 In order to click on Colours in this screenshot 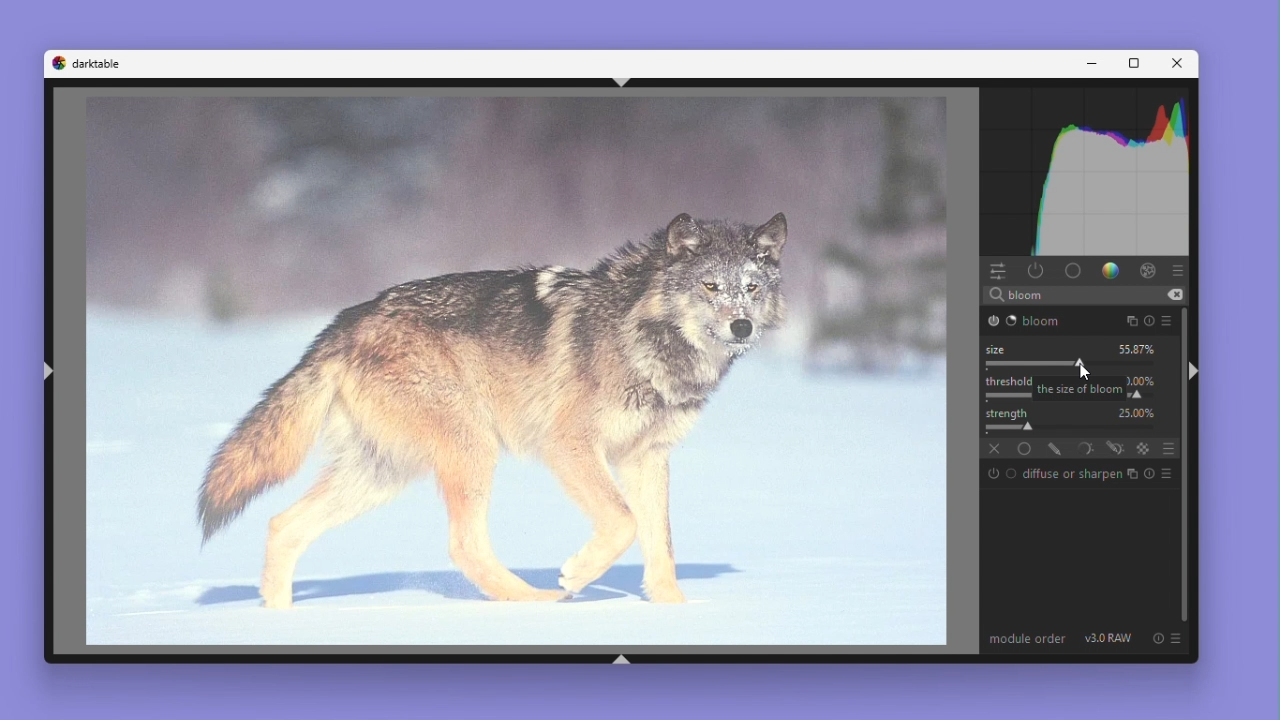, I will do `click(1111, 270)`.